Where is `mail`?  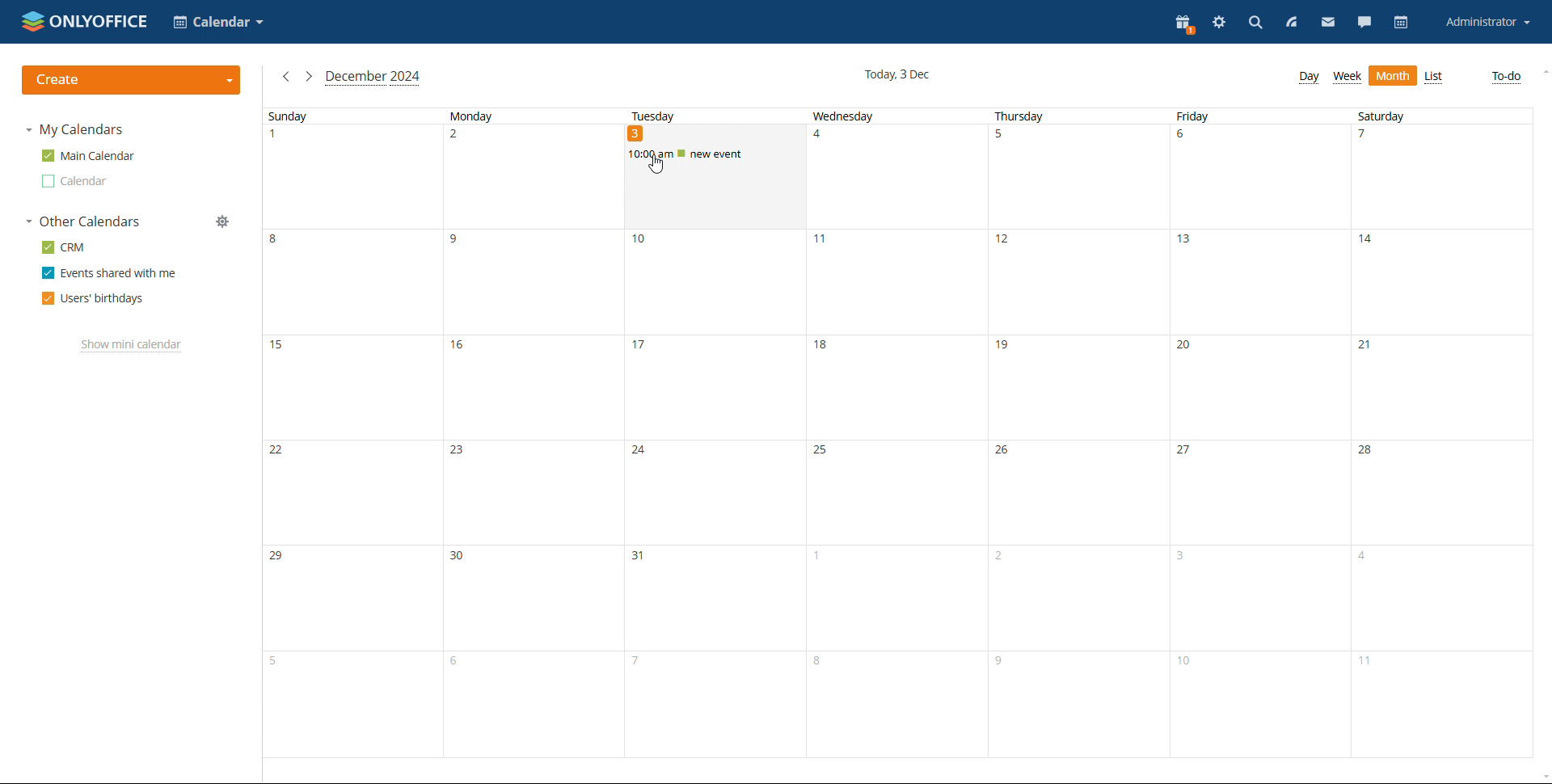 mail is located at coordinates (1329, 22).